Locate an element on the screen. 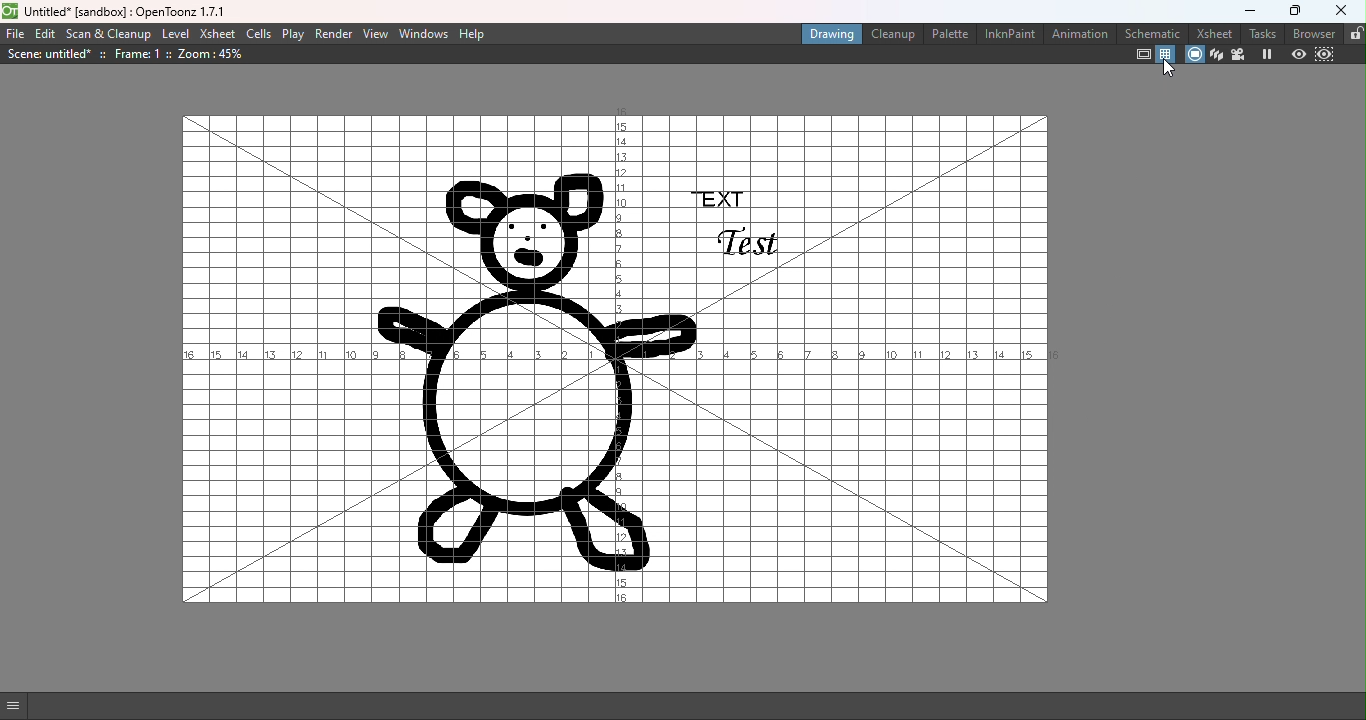  Lock rooms tab is located at coordinates (1353, 32).